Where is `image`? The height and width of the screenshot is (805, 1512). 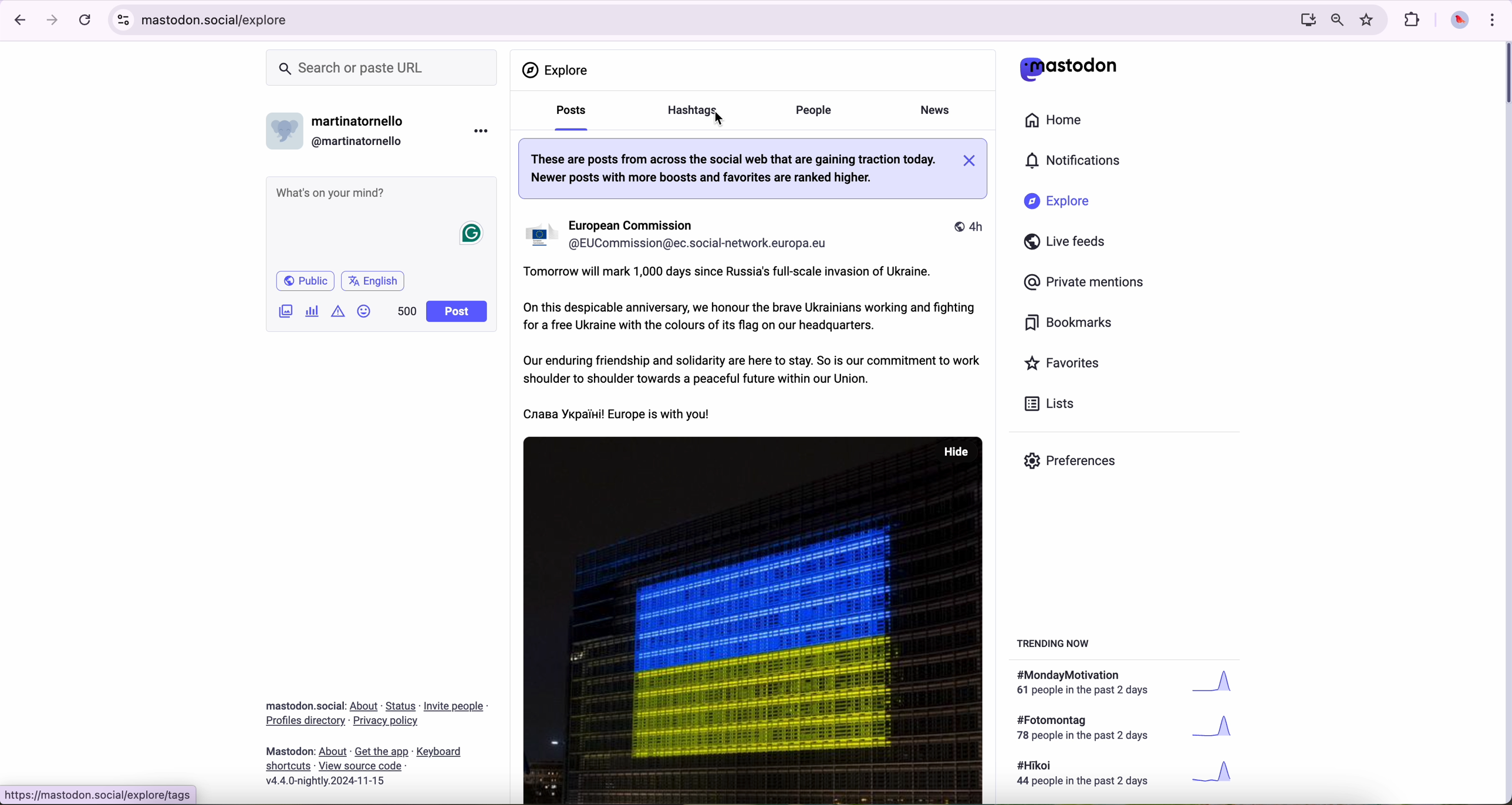
image is located at coordinates (285, 313).